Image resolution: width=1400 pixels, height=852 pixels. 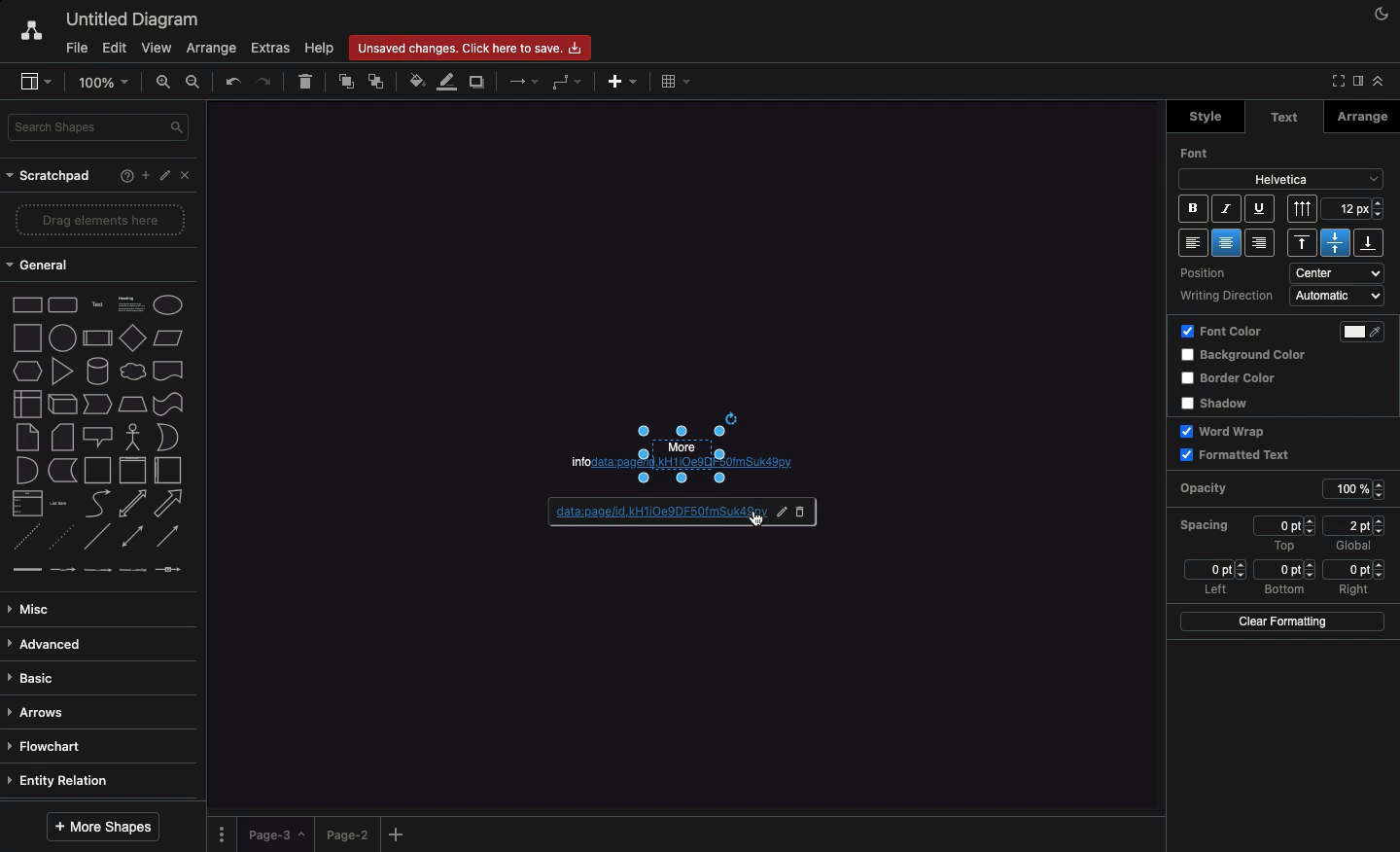 I want to click on Options, so click(x=224, y=834).